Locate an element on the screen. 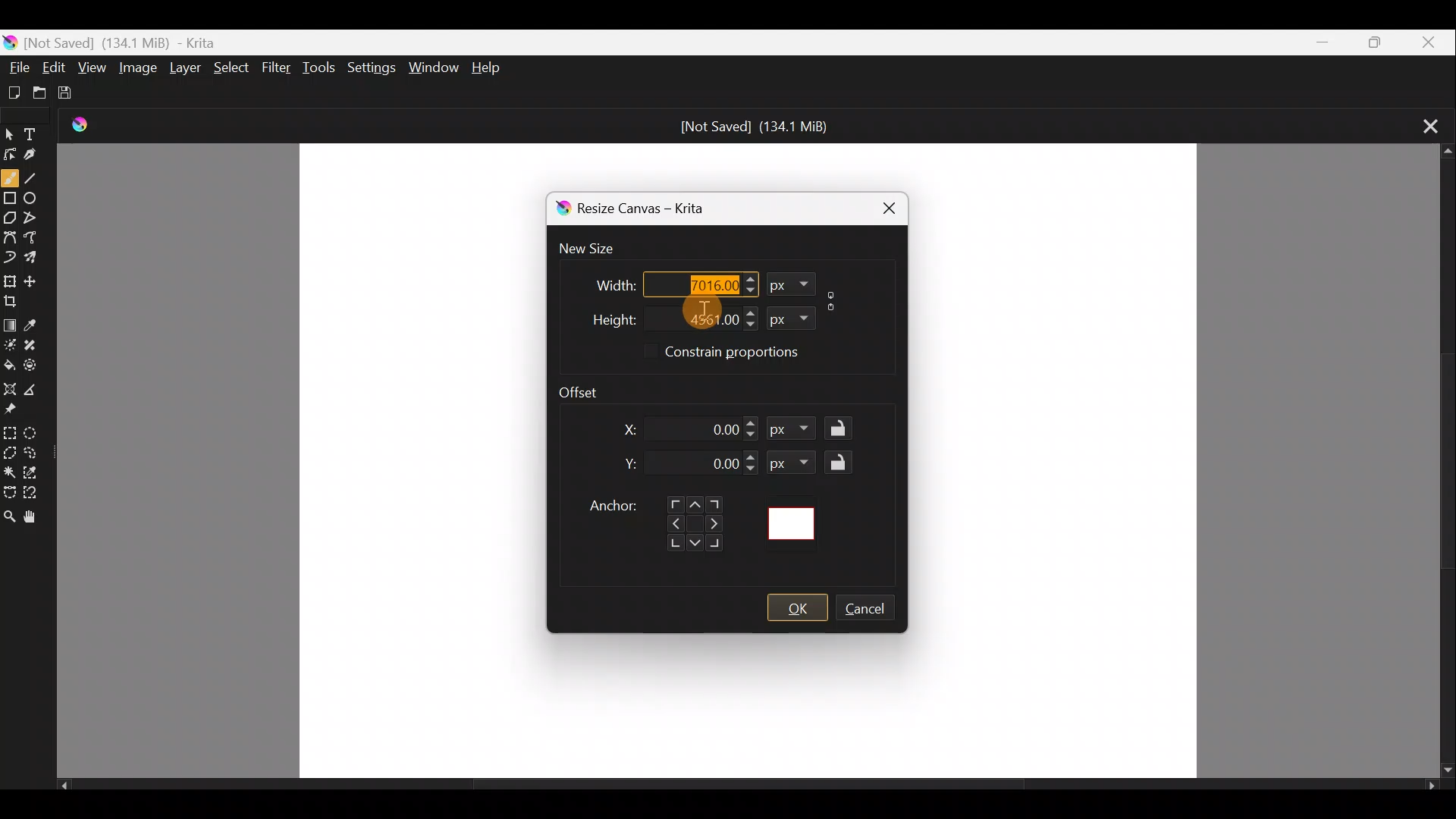  Filter is located at coordinates (278, 72).